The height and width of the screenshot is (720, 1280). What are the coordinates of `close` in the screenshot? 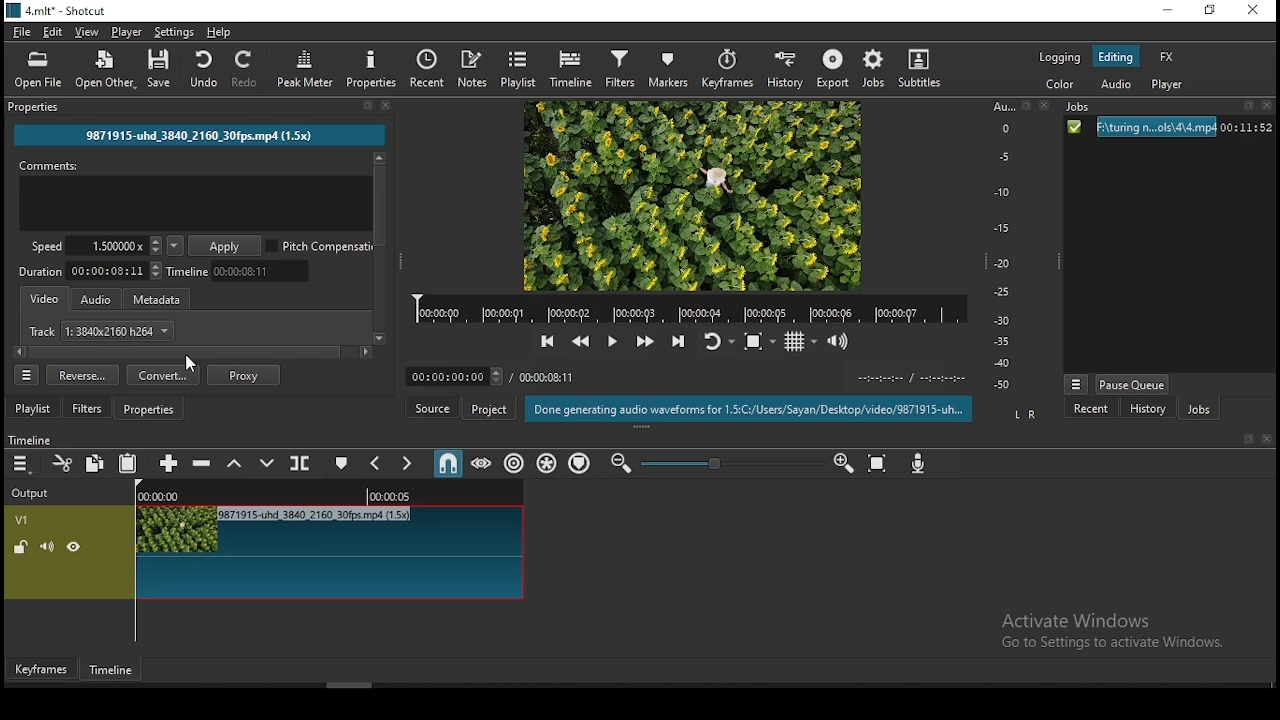 It's located at (1270, 107).